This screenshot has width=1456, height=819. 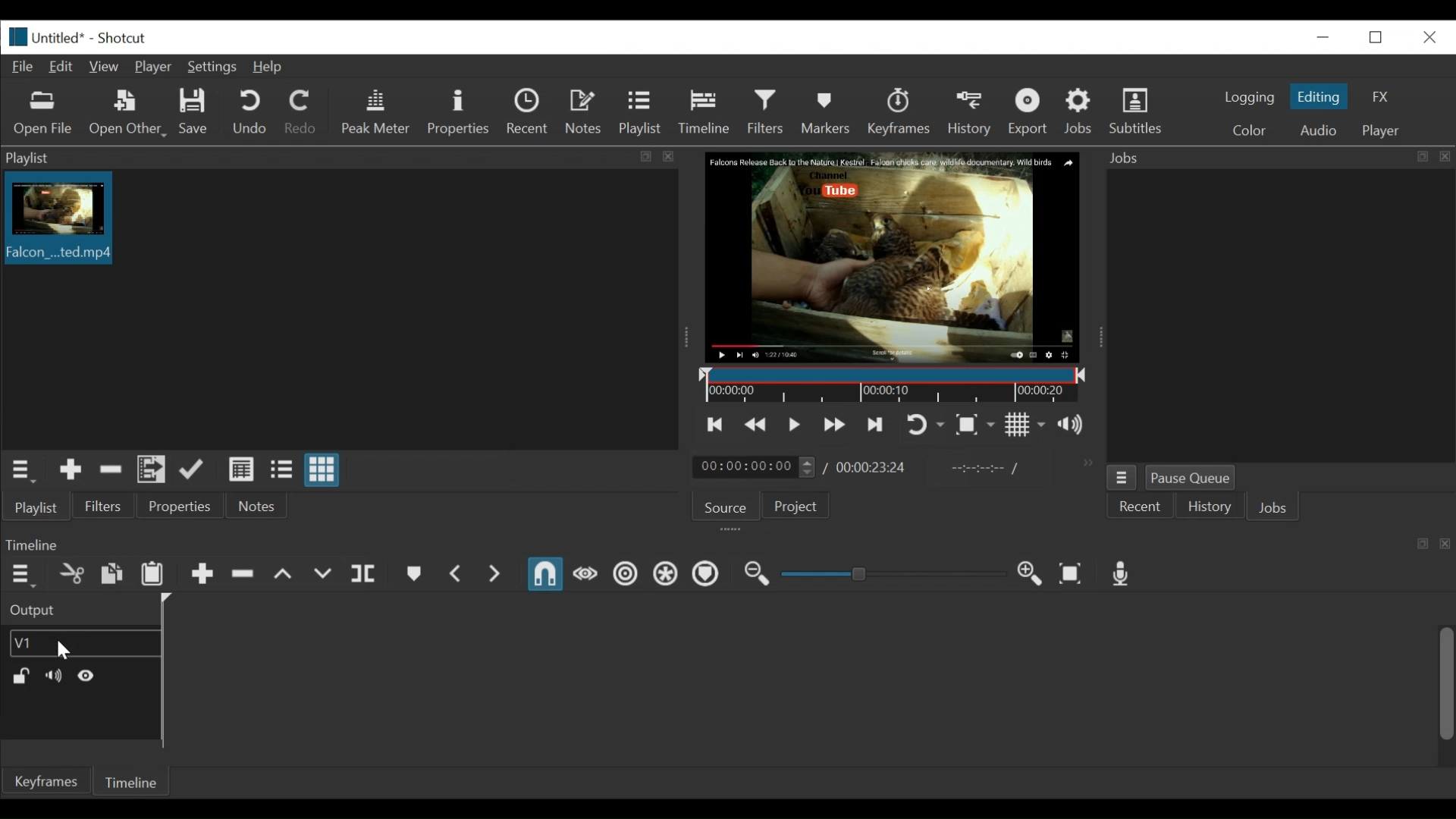 I want to click on Playlist, so click(x=39, y=508).